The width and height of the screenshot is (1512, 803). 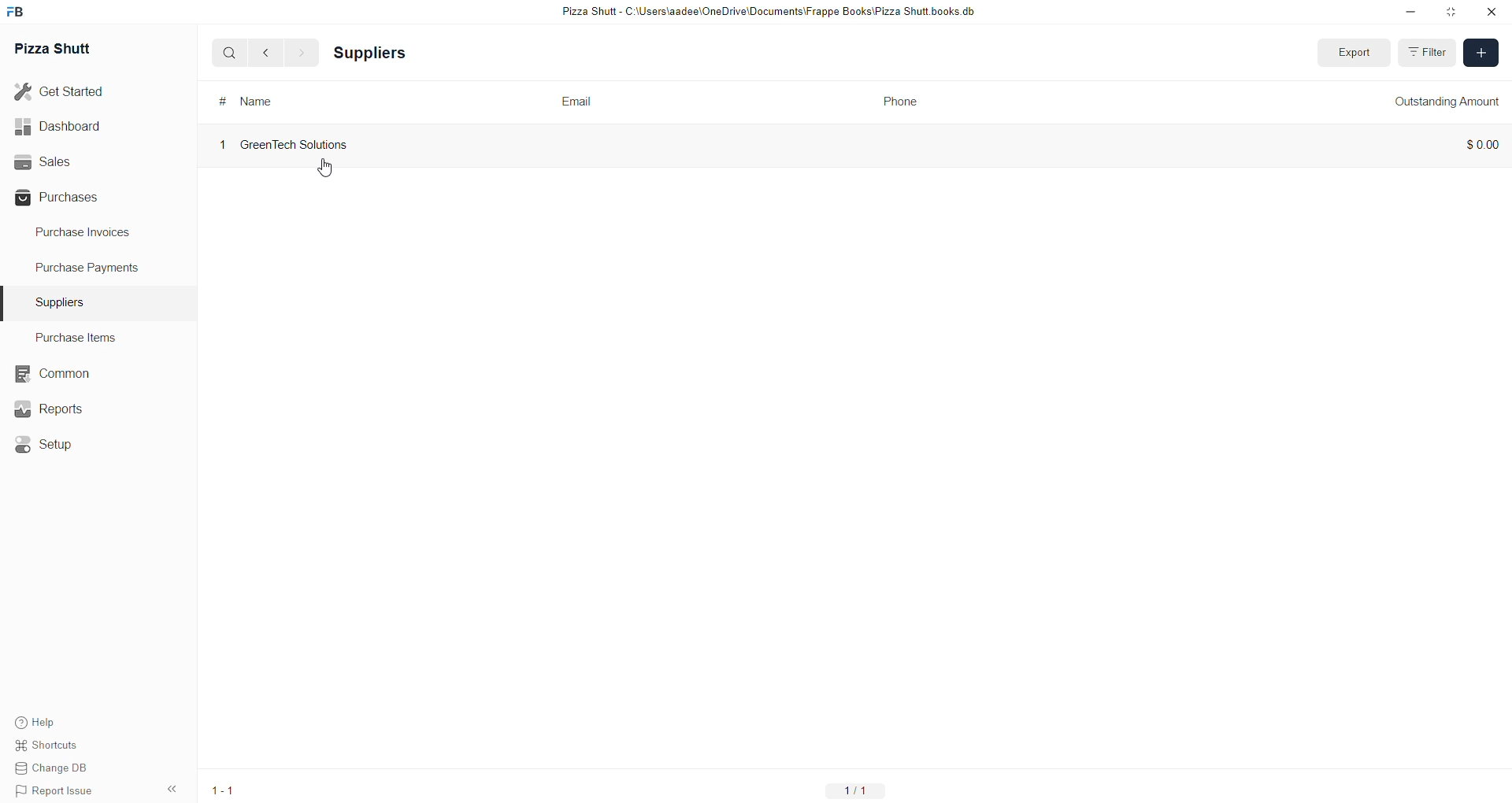 I want to click on Purchases, so click(x=76, y=197).